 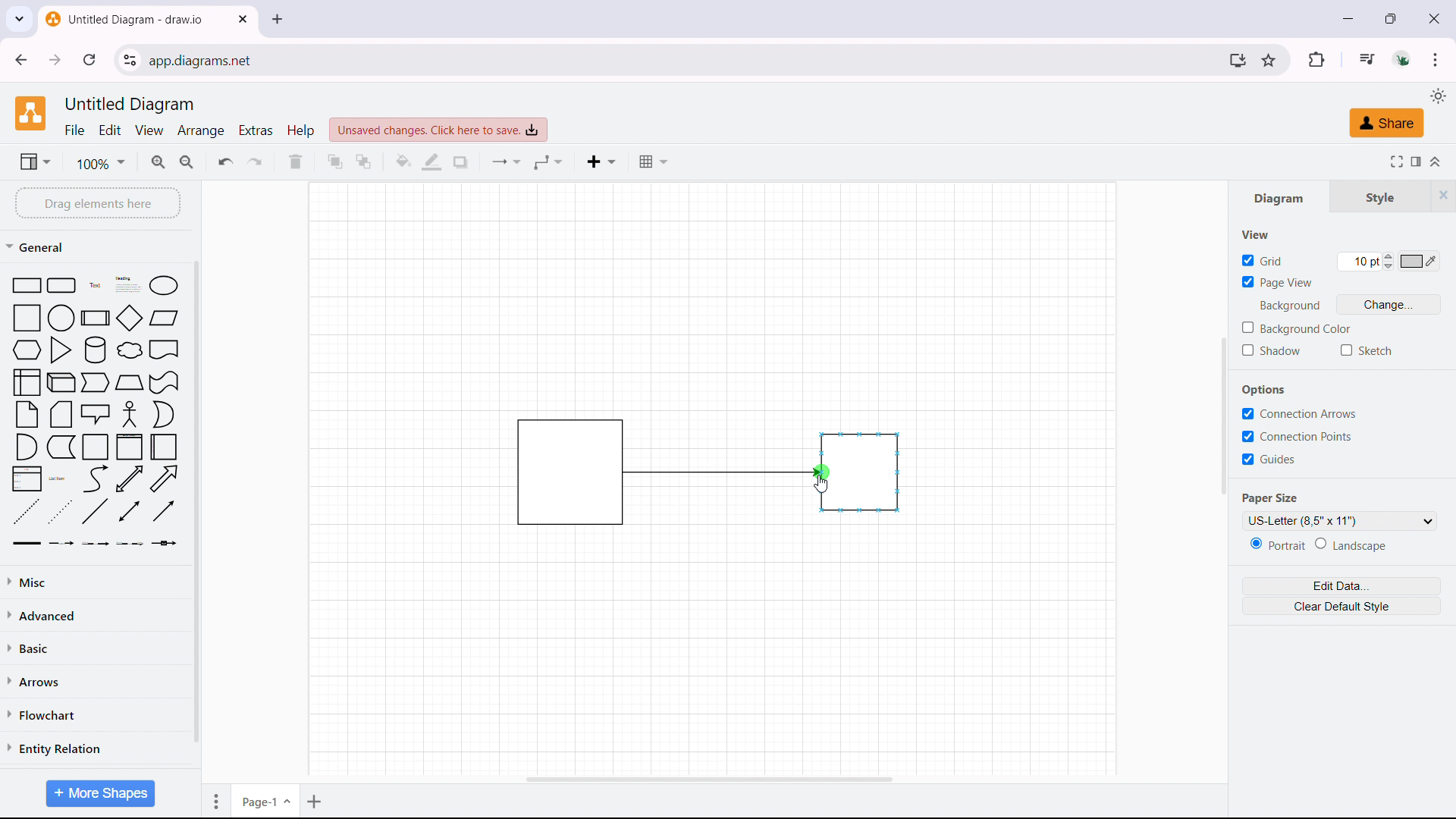 I want to click on Options, so click(x=1260, y=391).